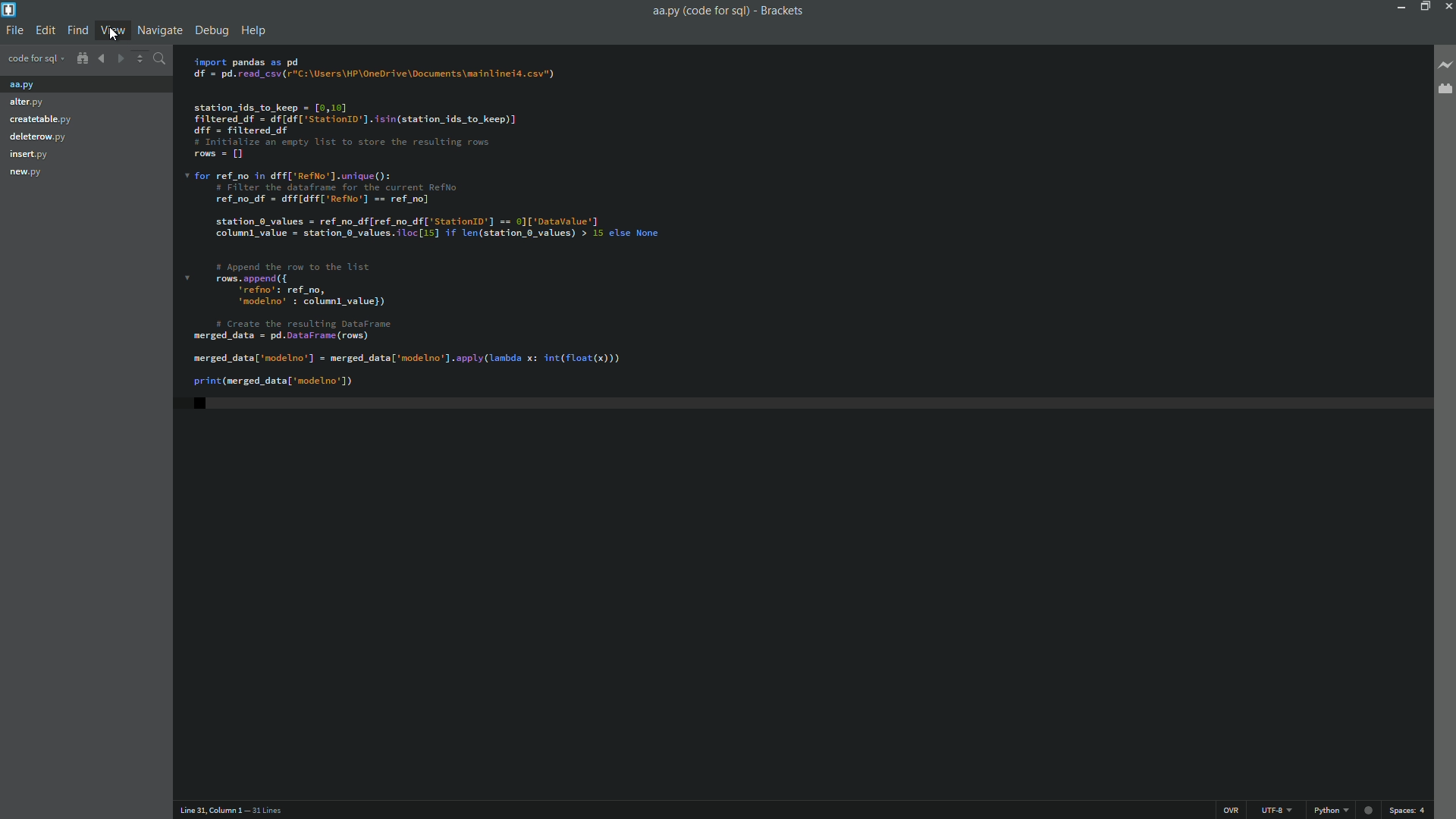 The image size is (1456, 819). I want to click on close app button, so click(1447, 8).